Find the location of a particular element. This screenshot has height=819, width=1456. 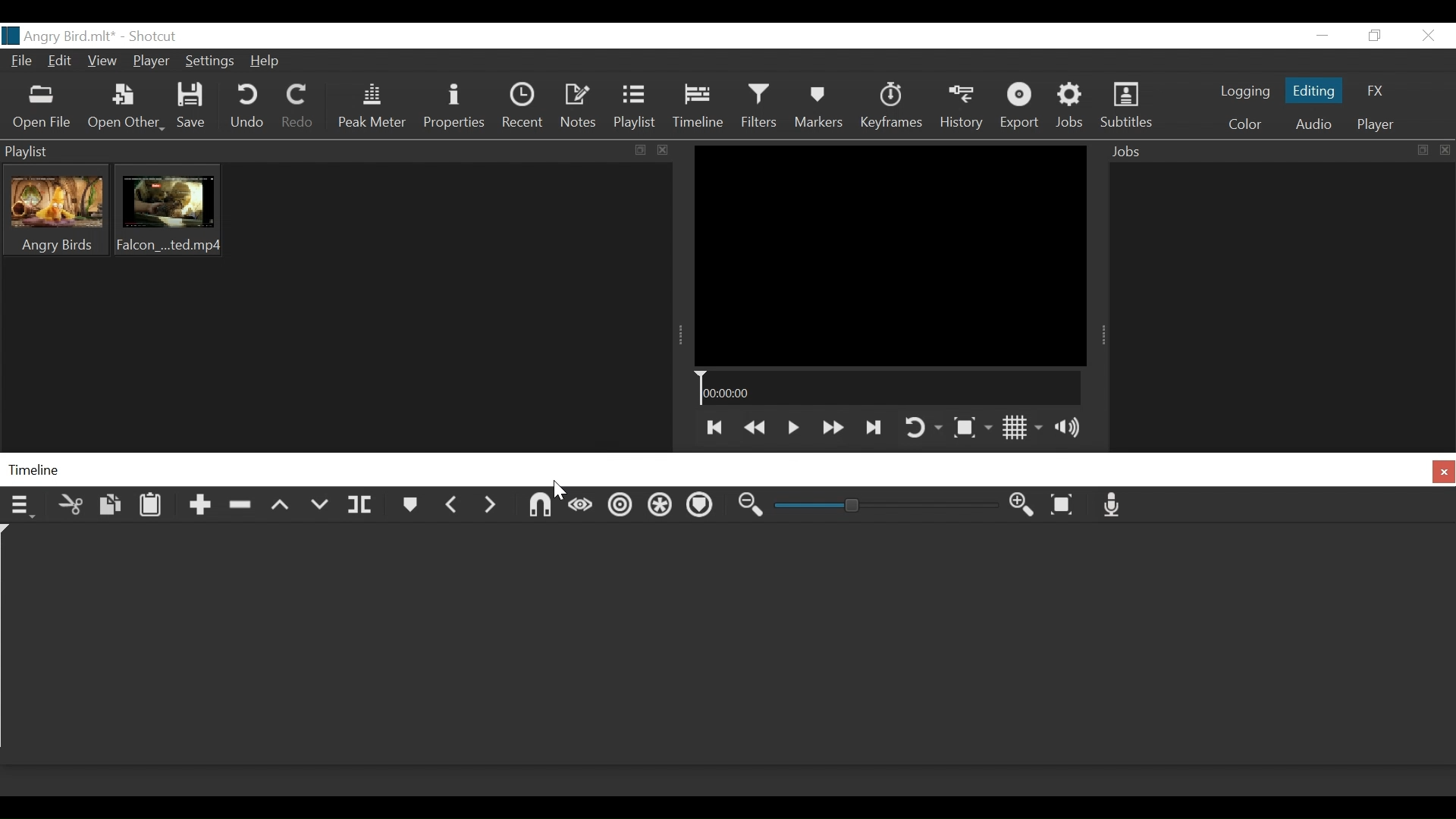

Play backward quickly is located at coordinates (754, 426).